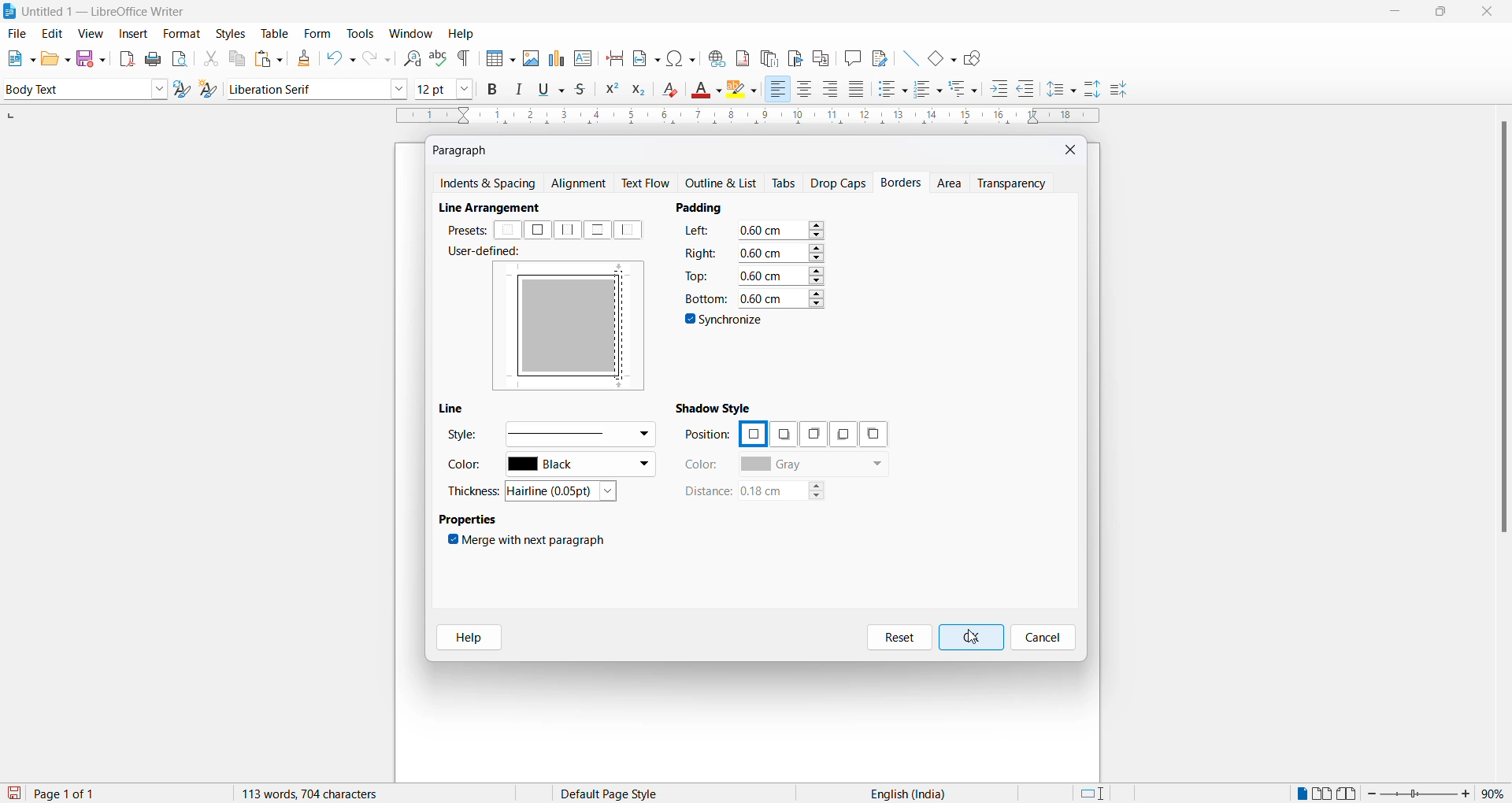 The height and width of the screenshot is (803, 1512). Describe the element at coordinates (746, 117) in the screenshot. I see `scaling` at that location.